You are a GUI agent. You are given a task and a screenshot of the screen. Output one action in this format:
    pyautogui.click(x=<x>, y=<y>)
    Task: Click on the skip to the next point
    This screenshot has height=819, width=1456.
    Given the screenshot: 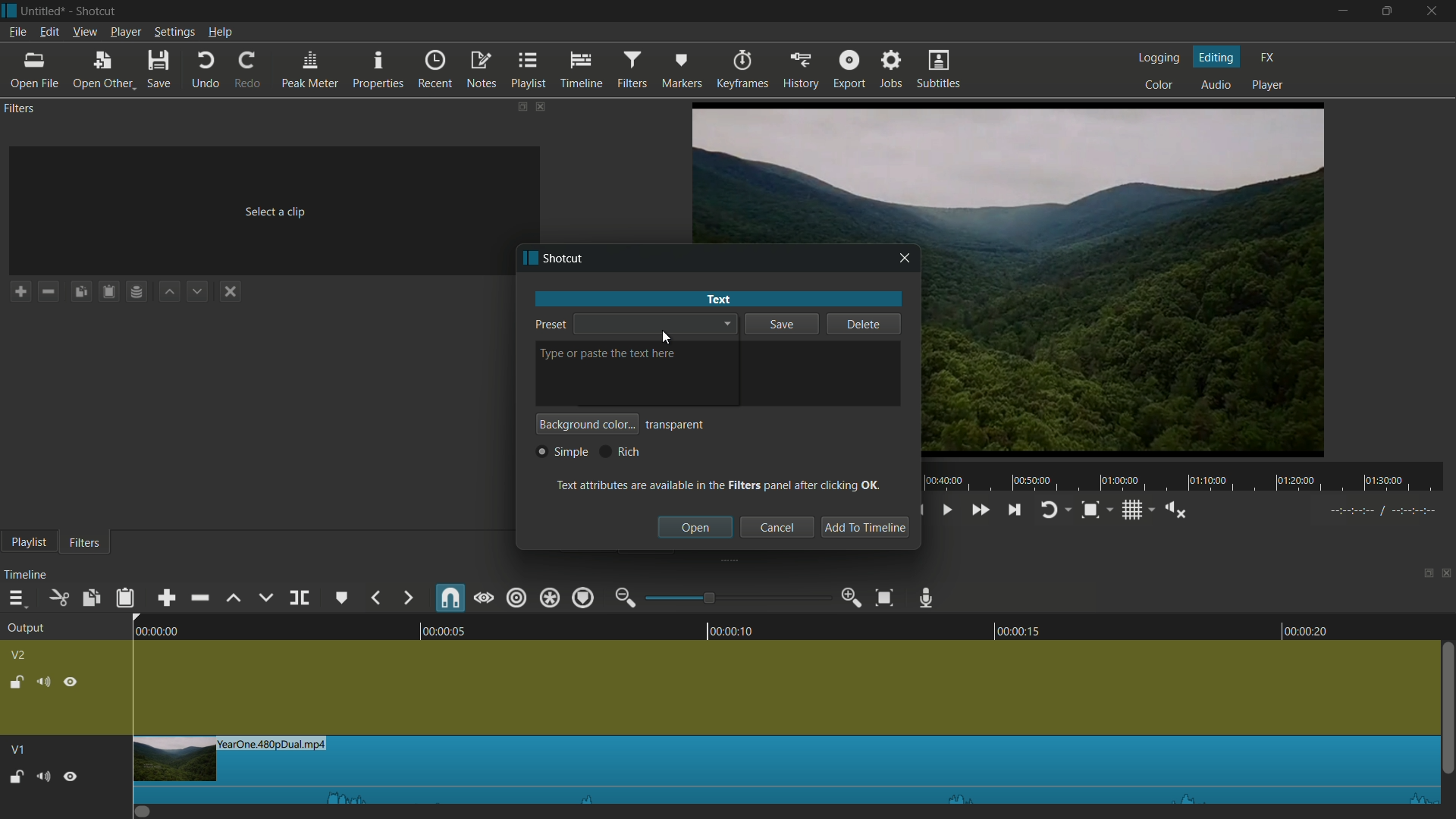 What is the action you would take?
    pyautogui.click(x=1015, y=510)
    